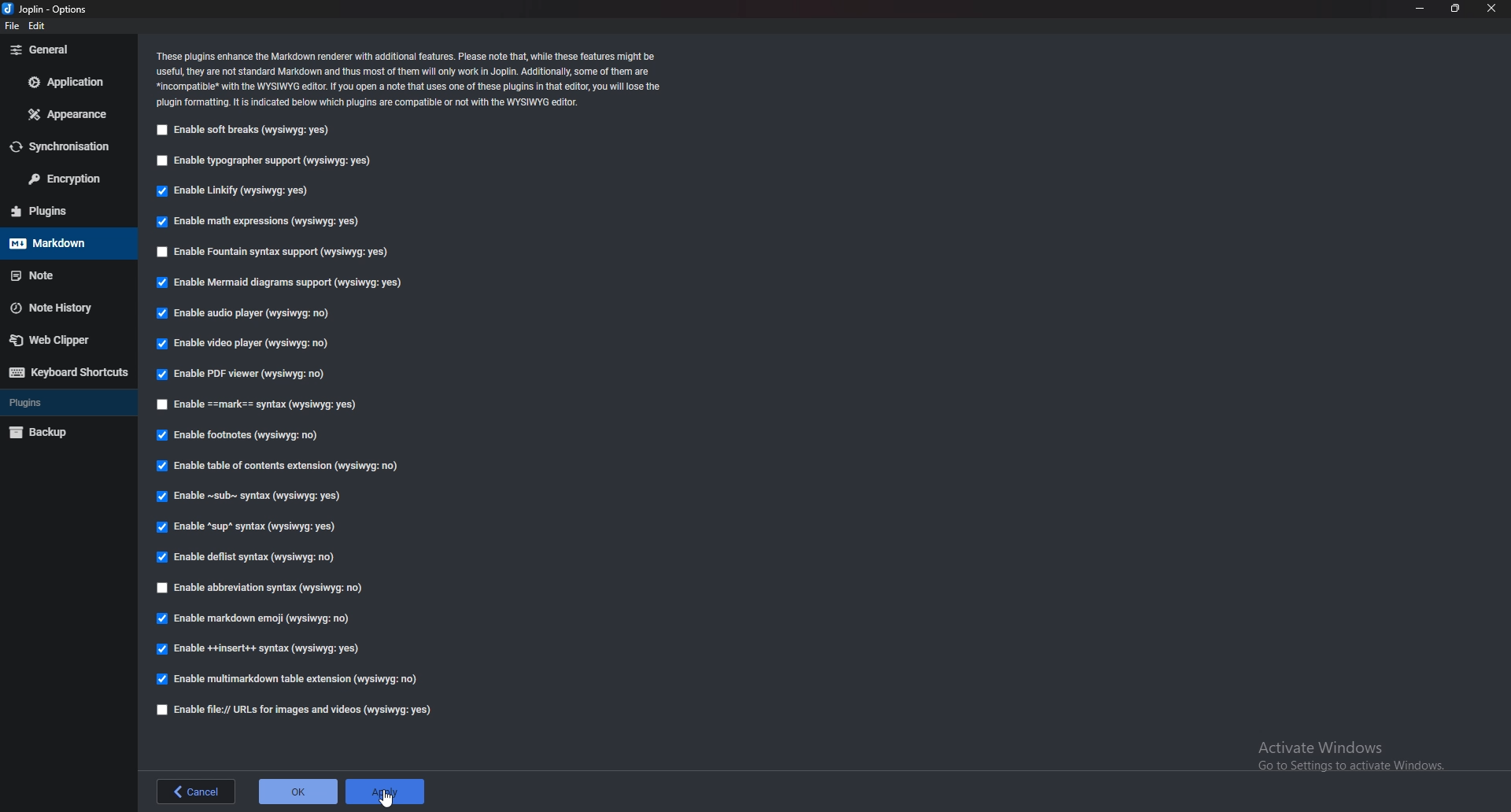  I want to click on Application, so click(68, 83).